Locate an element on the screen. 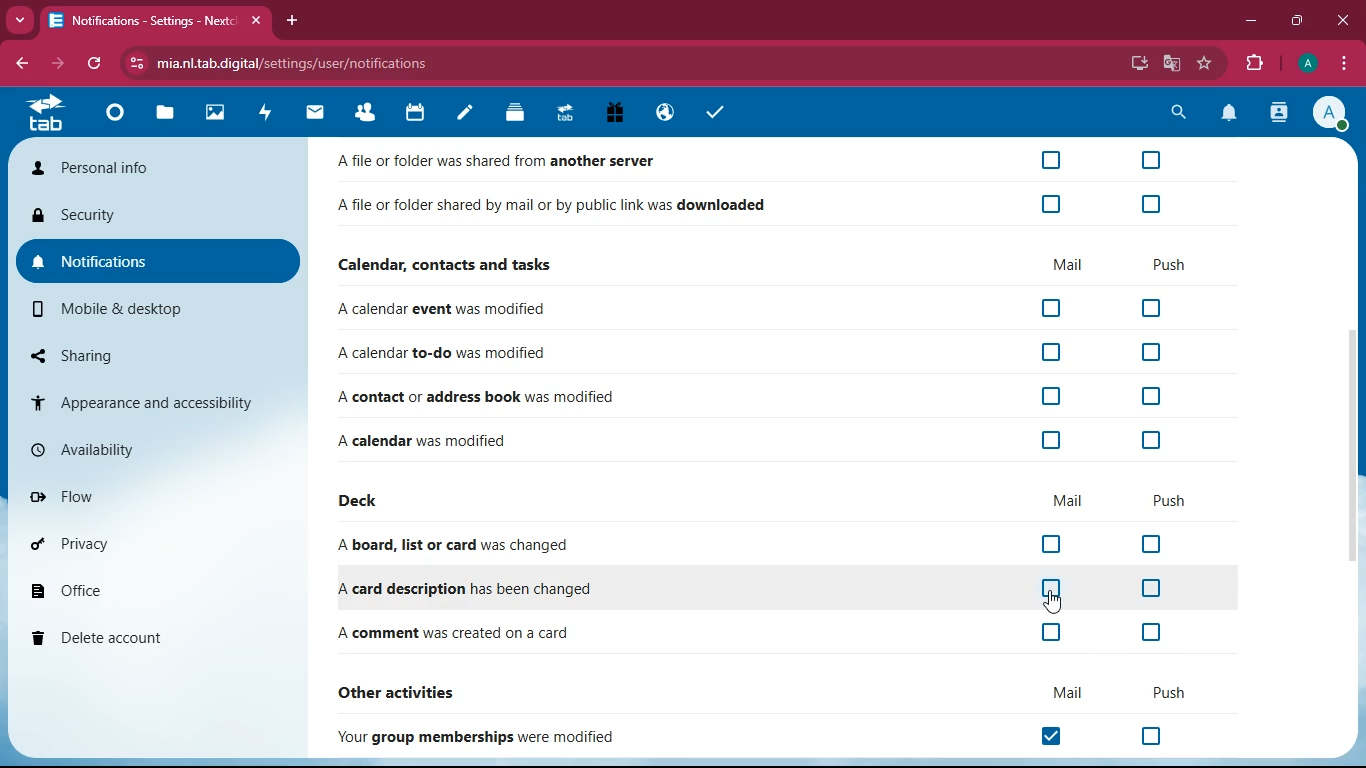 The height and width of the screenshot is (768, 1366). public is located at coordinates (663, 114).